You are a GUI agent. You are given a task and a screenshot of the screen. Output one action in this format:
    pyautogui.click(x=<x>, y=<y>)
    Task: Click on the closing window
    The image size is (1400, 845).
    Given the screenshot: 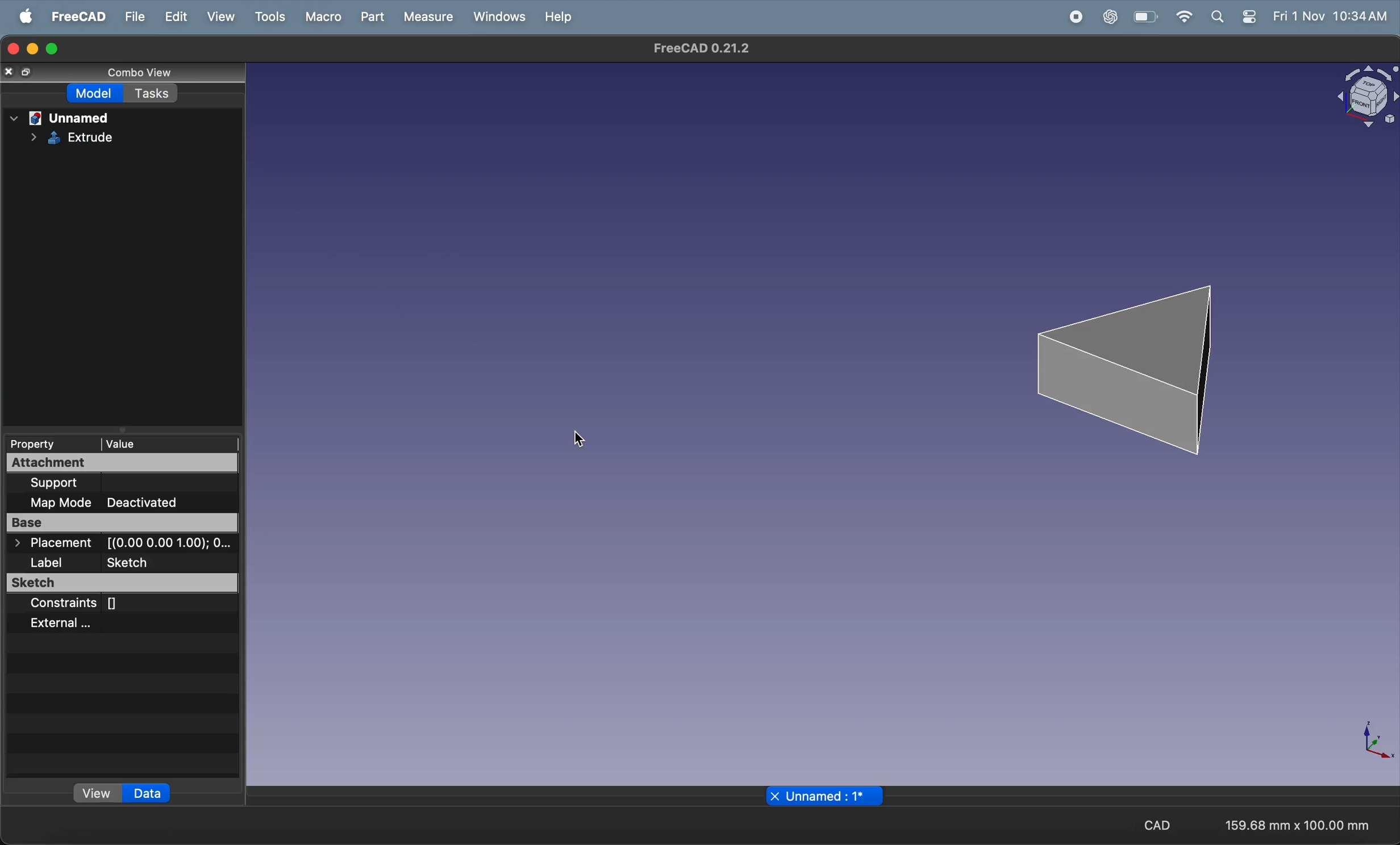 What is the action you would take?
    pyautogui.click(x=12, y=47)
    